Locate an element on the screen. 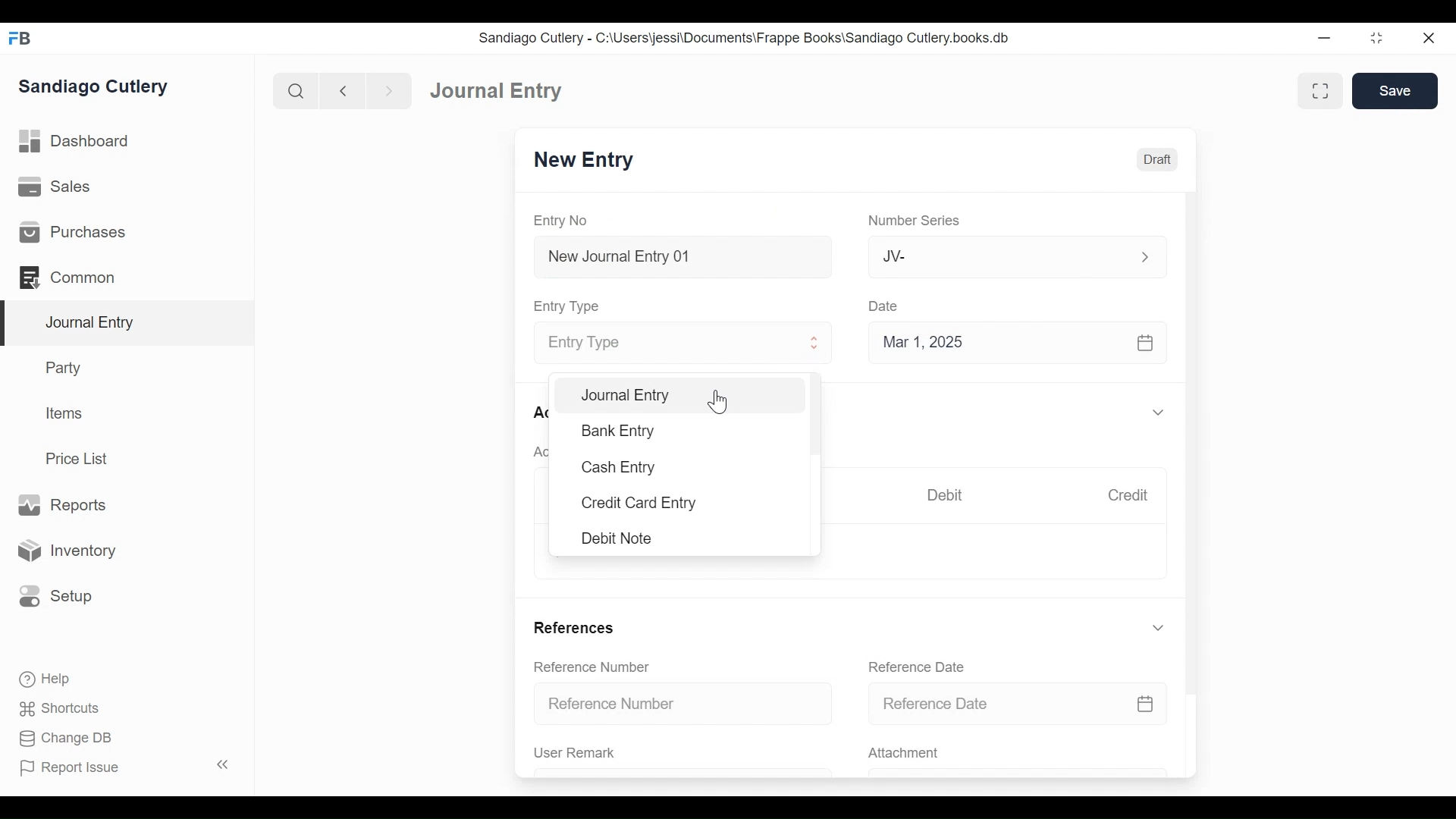  Credit is located at coordinates (1128, 495).